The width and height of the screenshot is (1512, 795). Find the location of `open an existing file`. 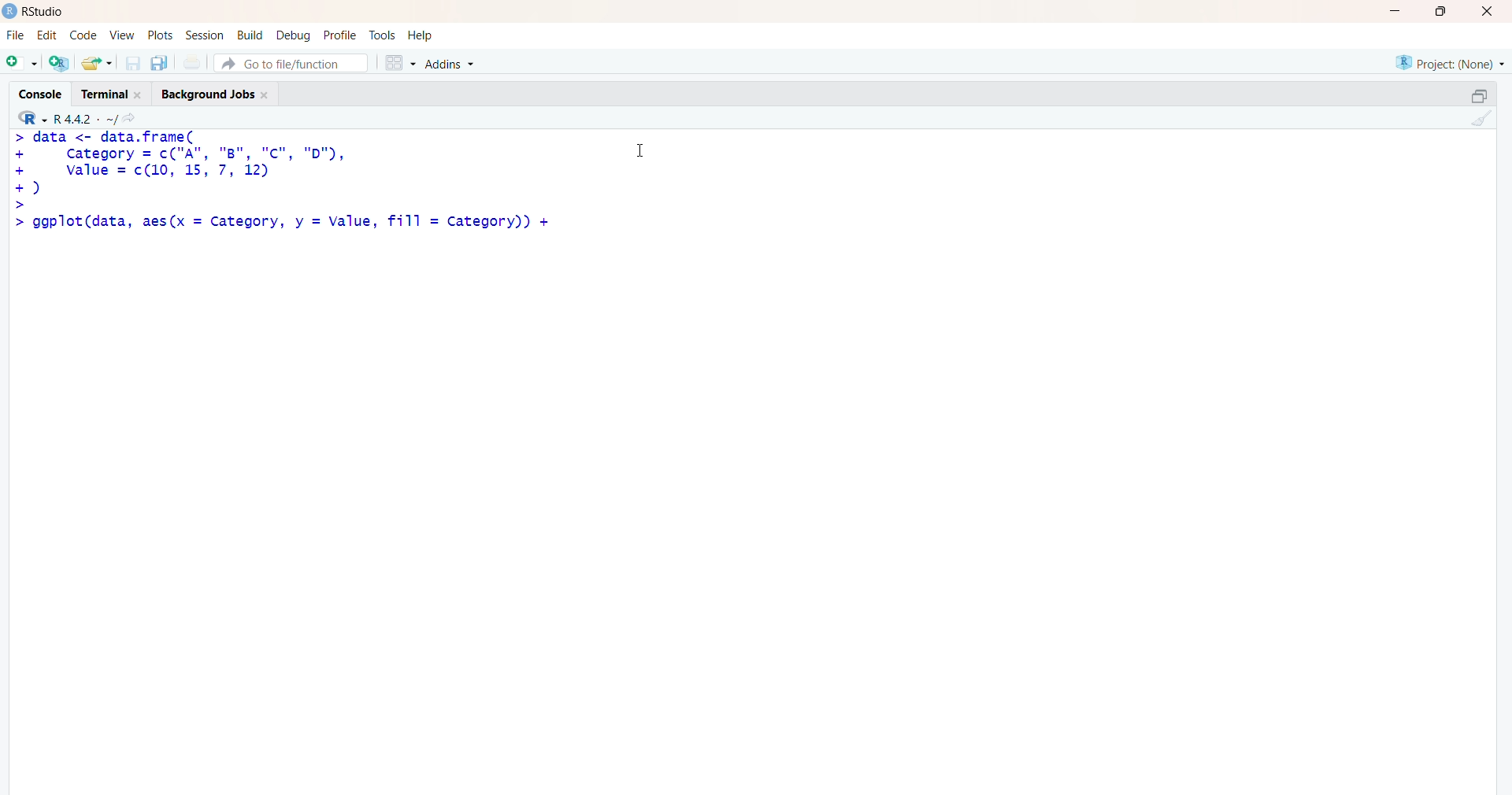

open an existing file is located at coordinates (96, 62).